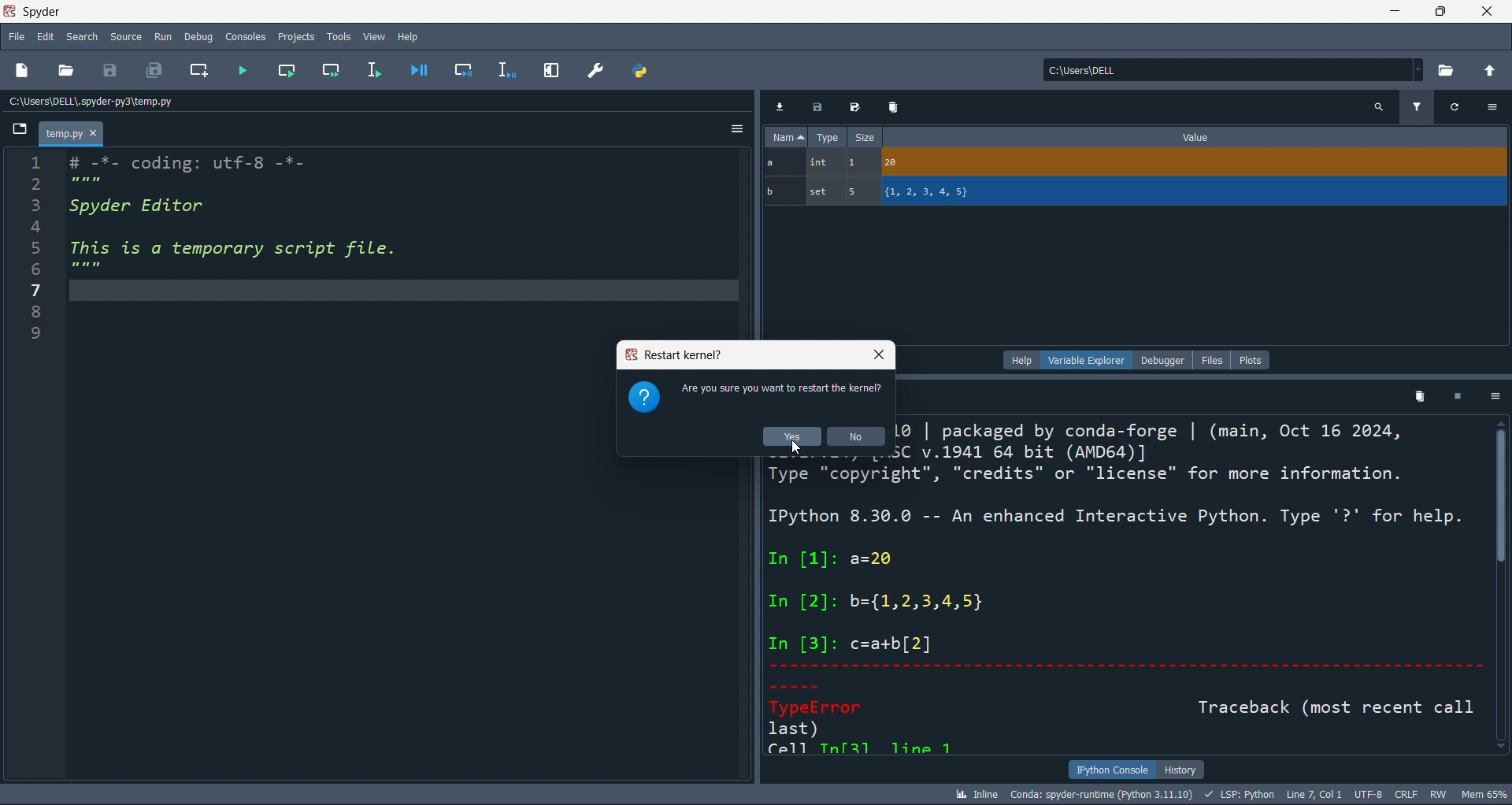  Describe the element at coordinates (1492, 72) in the screenshot. I see `open parent directory` at that location.